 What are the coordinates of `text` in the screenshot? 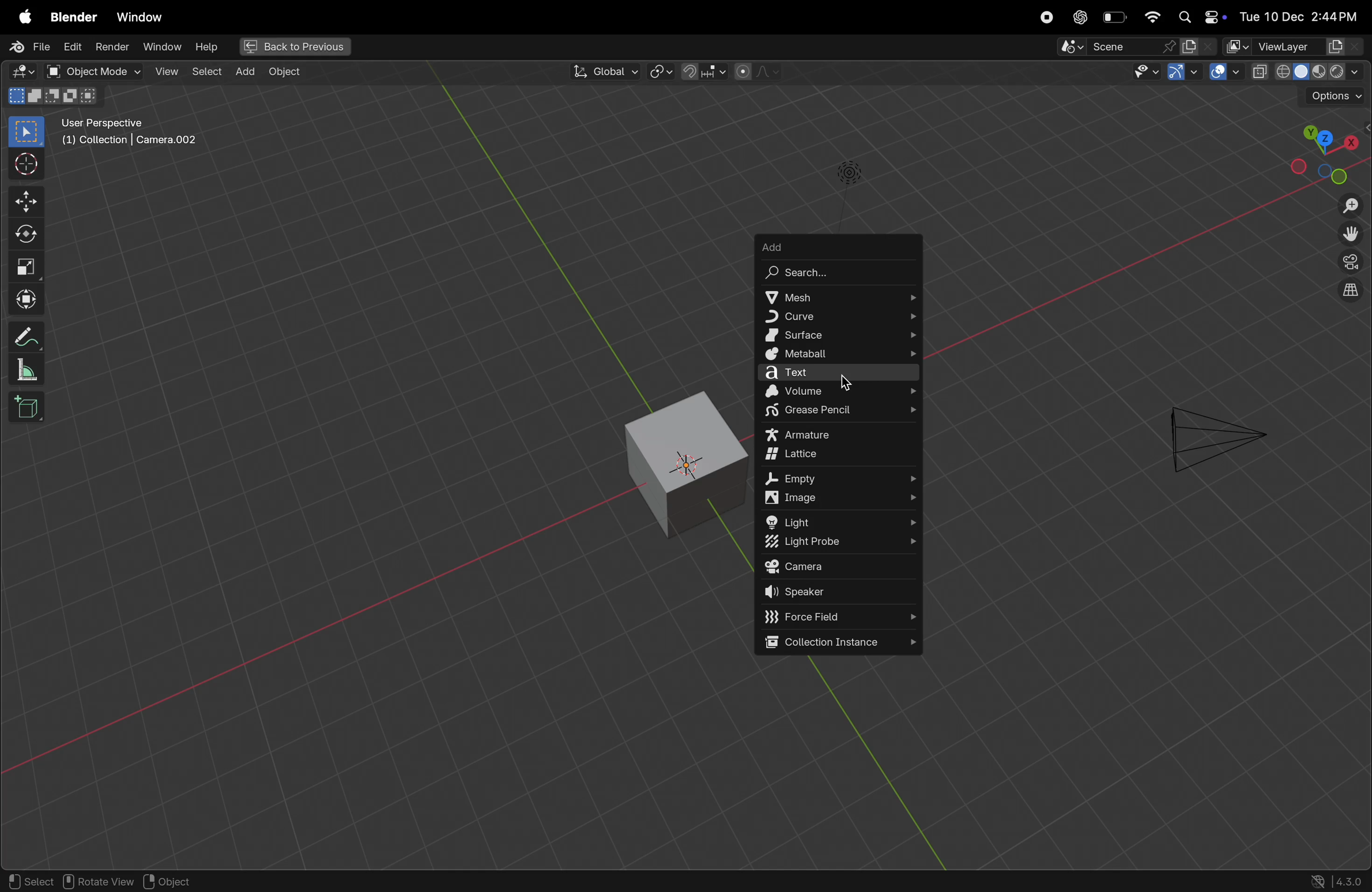 It's located at (837, 374).